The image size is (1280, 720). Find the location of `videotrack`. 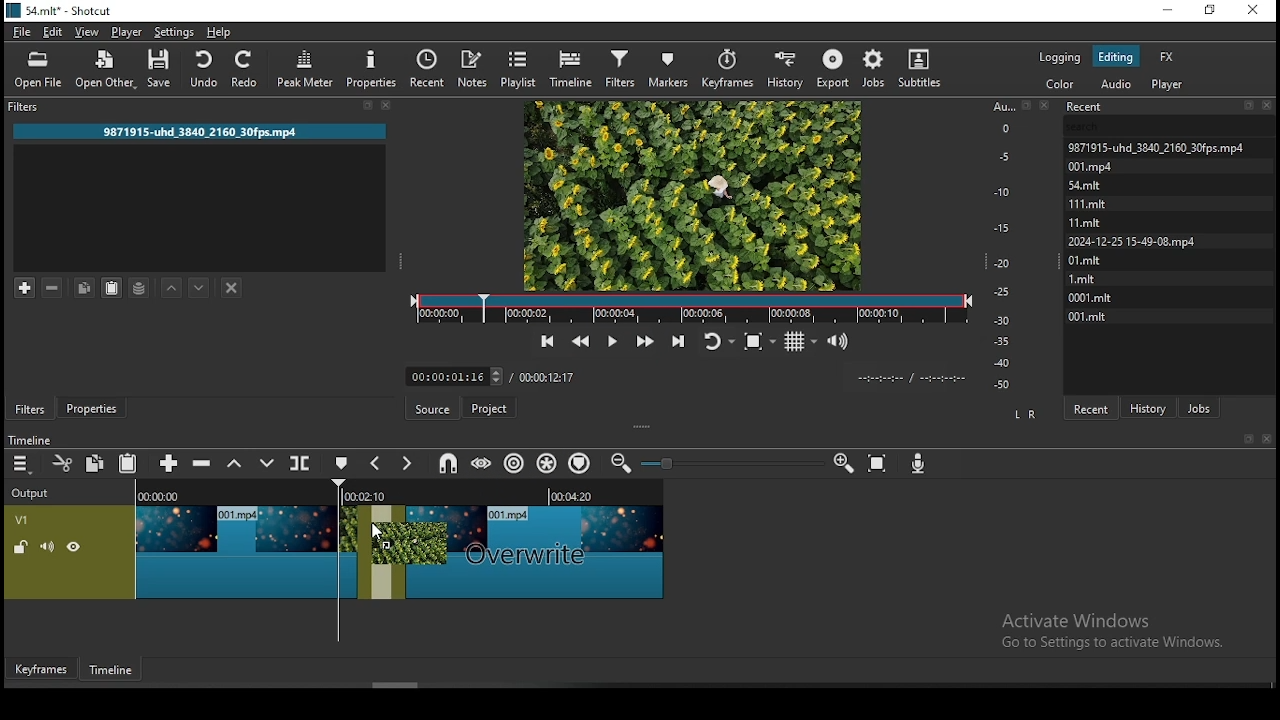

videotrack is located at coordinates (535, 549).